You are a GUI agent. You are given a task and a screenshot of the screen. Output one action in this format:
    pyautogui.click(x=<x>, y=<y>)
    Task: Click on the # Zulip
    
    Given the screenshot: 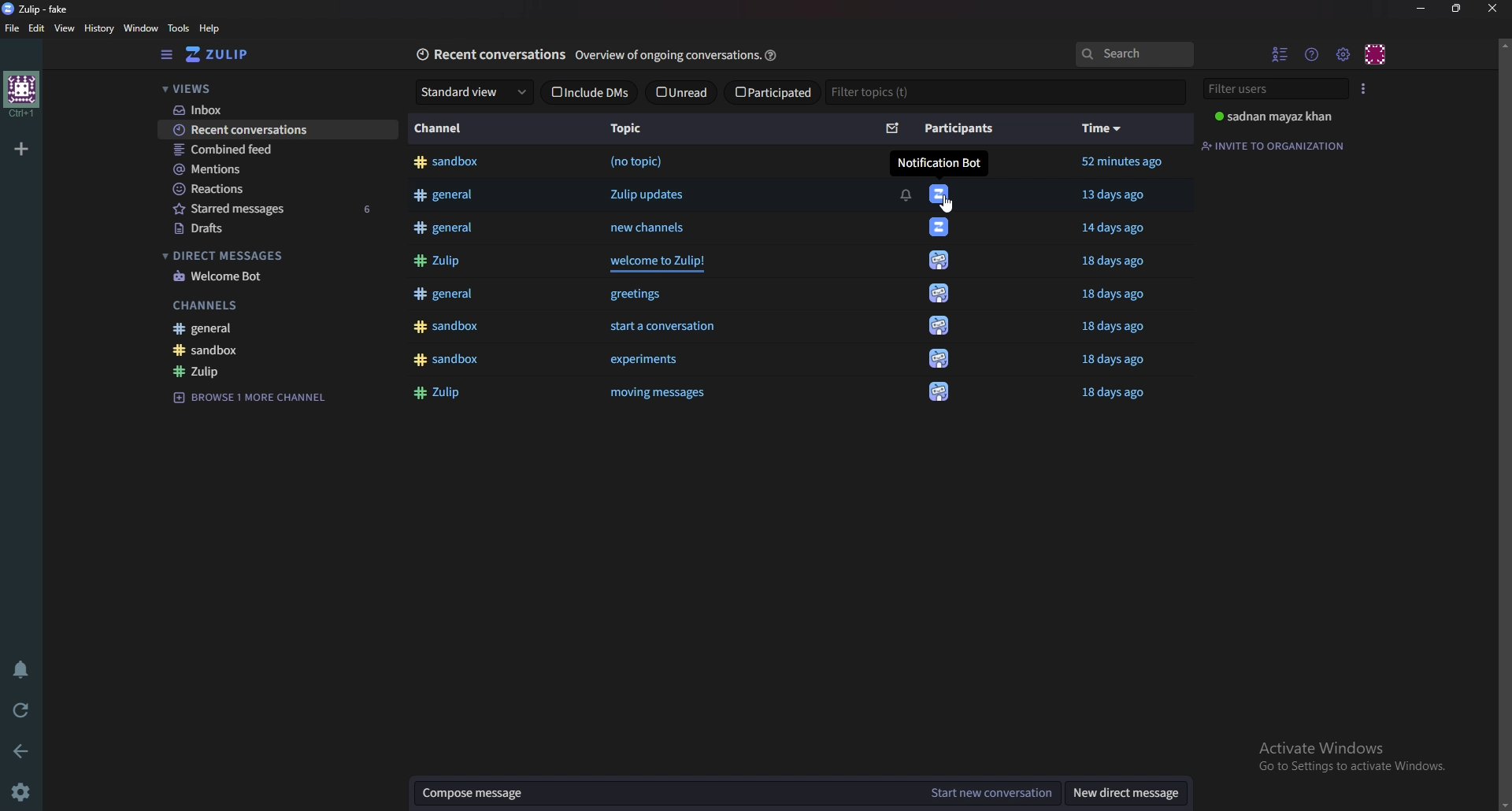 What is the action you would take?
    pyautogui.click(x=443, y=391)
    